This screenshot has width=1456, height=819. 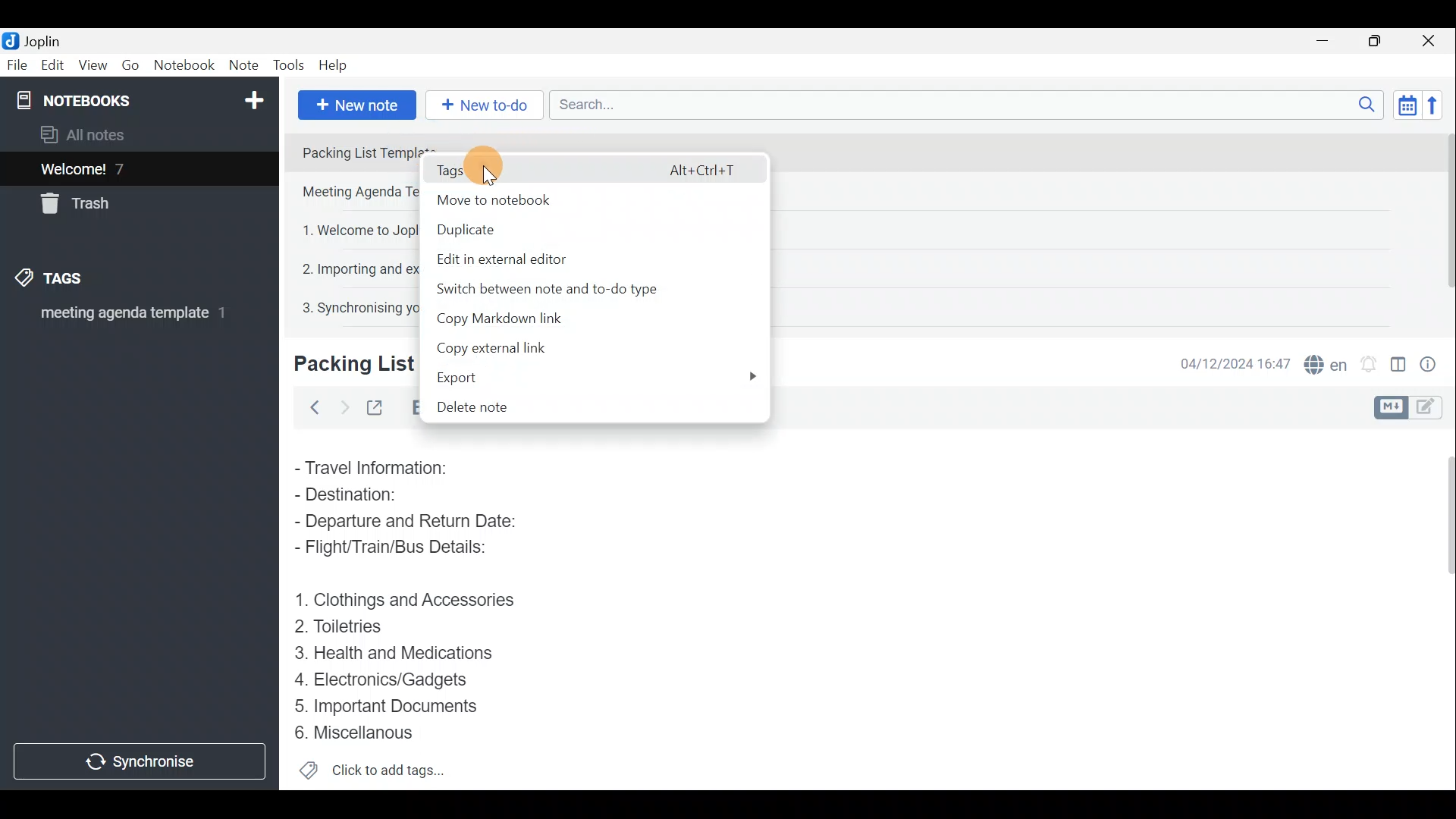 What do you see at coordinates (1438, 104) in the screenshot?
I see `Reverse sort order` at bounding box center [1438, 104].